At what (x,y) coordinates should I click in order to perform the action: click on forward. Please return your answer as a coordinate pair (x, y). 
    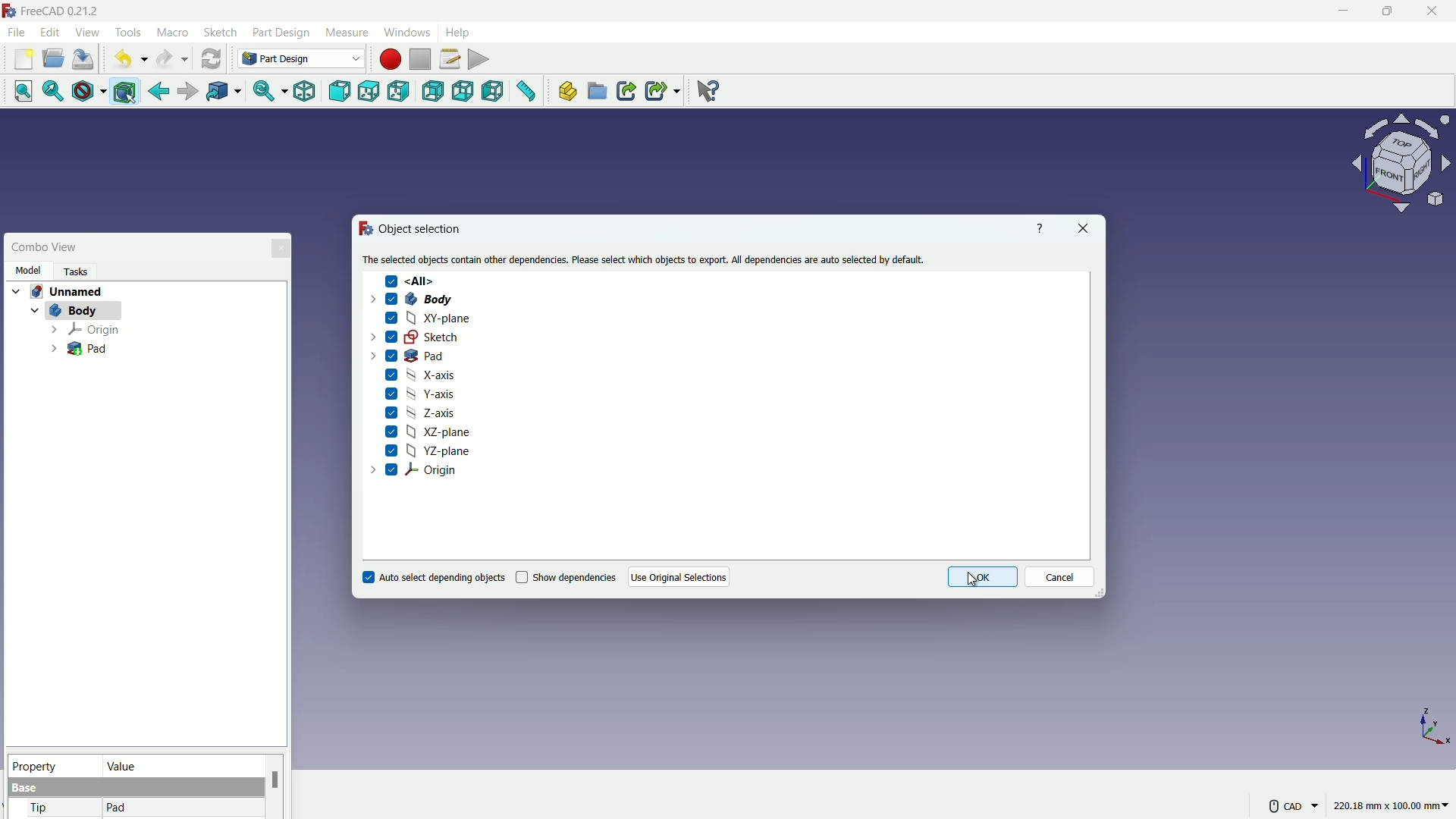
    Looking at the image, I should click on (186, 93).